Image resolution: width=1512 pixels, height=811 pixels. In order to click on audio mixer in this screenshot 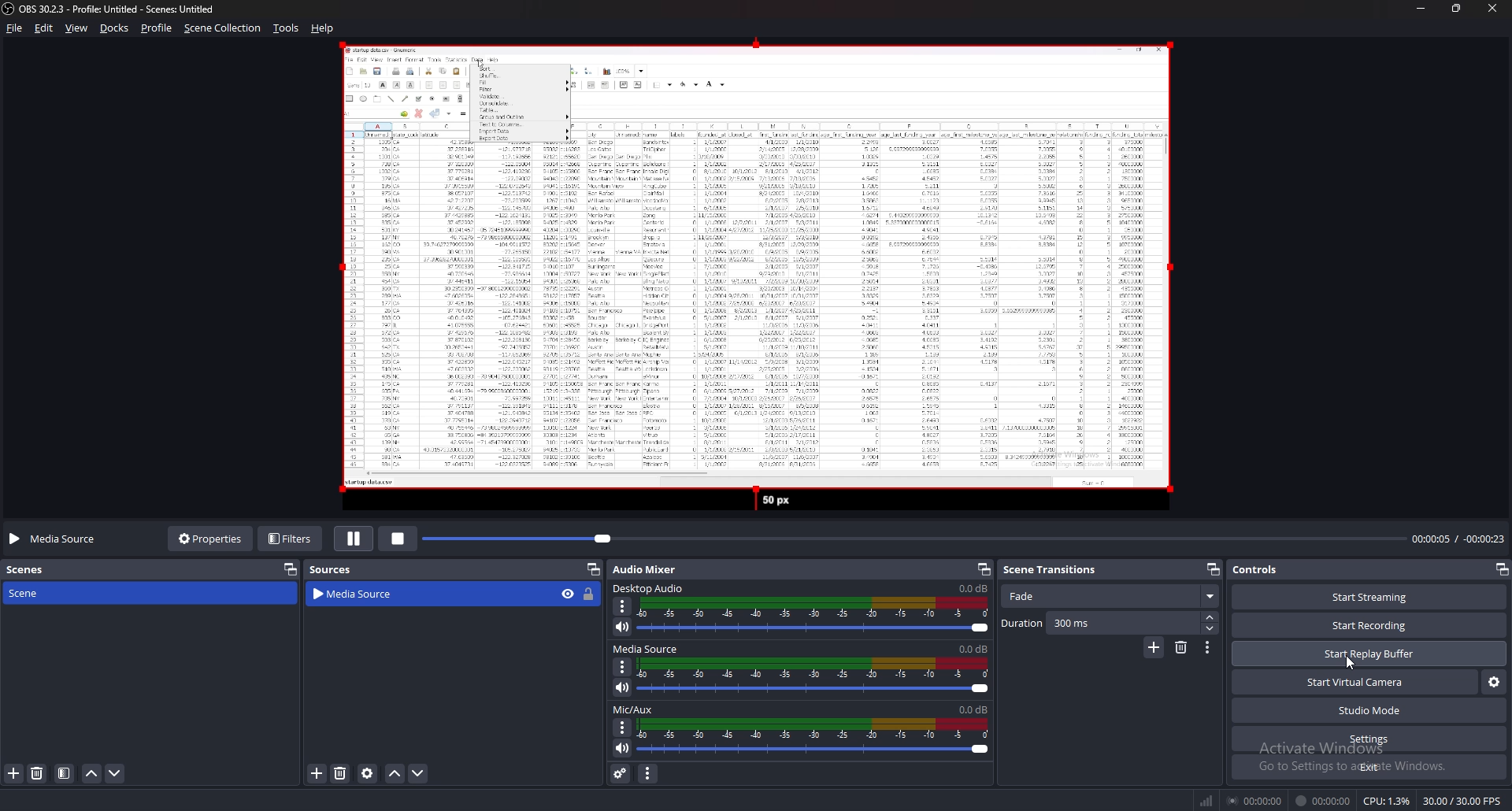, I will do `click(645, 569)`.